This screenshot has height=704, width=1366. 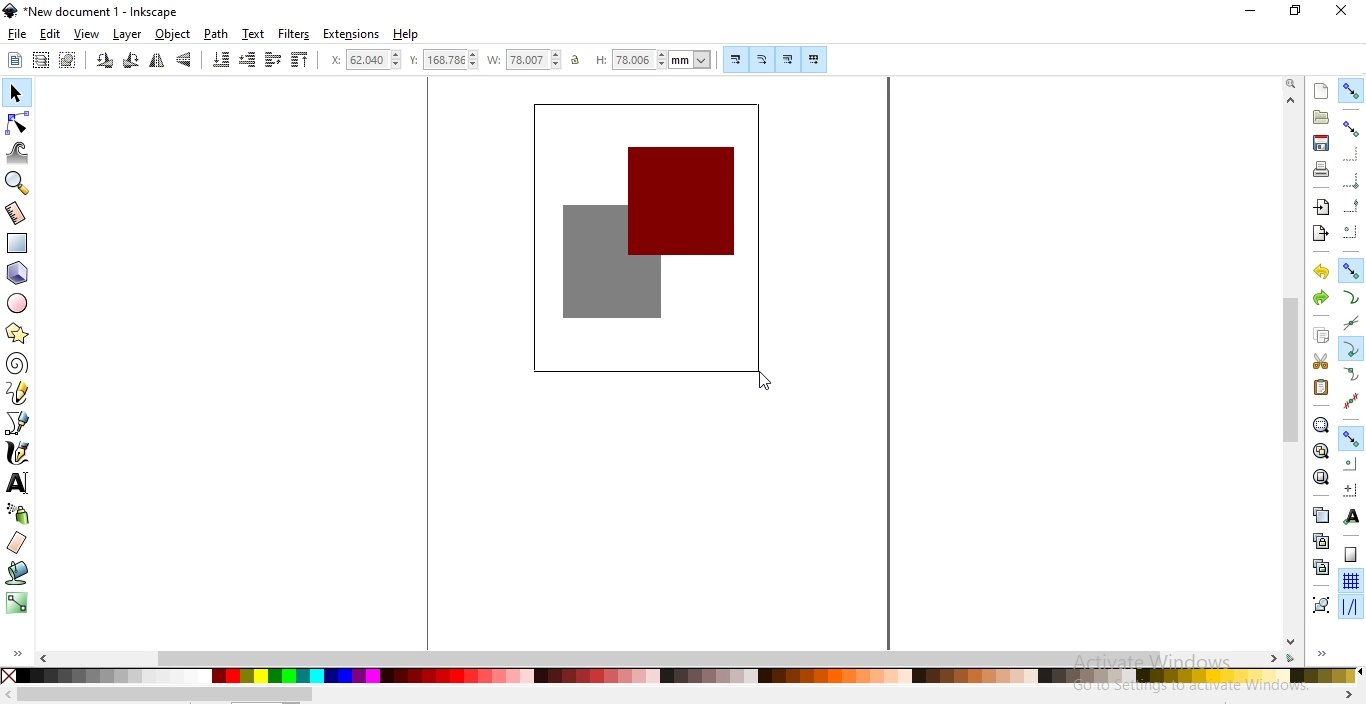 I want to click on snap smooth nodes, so click(x=1352, y=375).